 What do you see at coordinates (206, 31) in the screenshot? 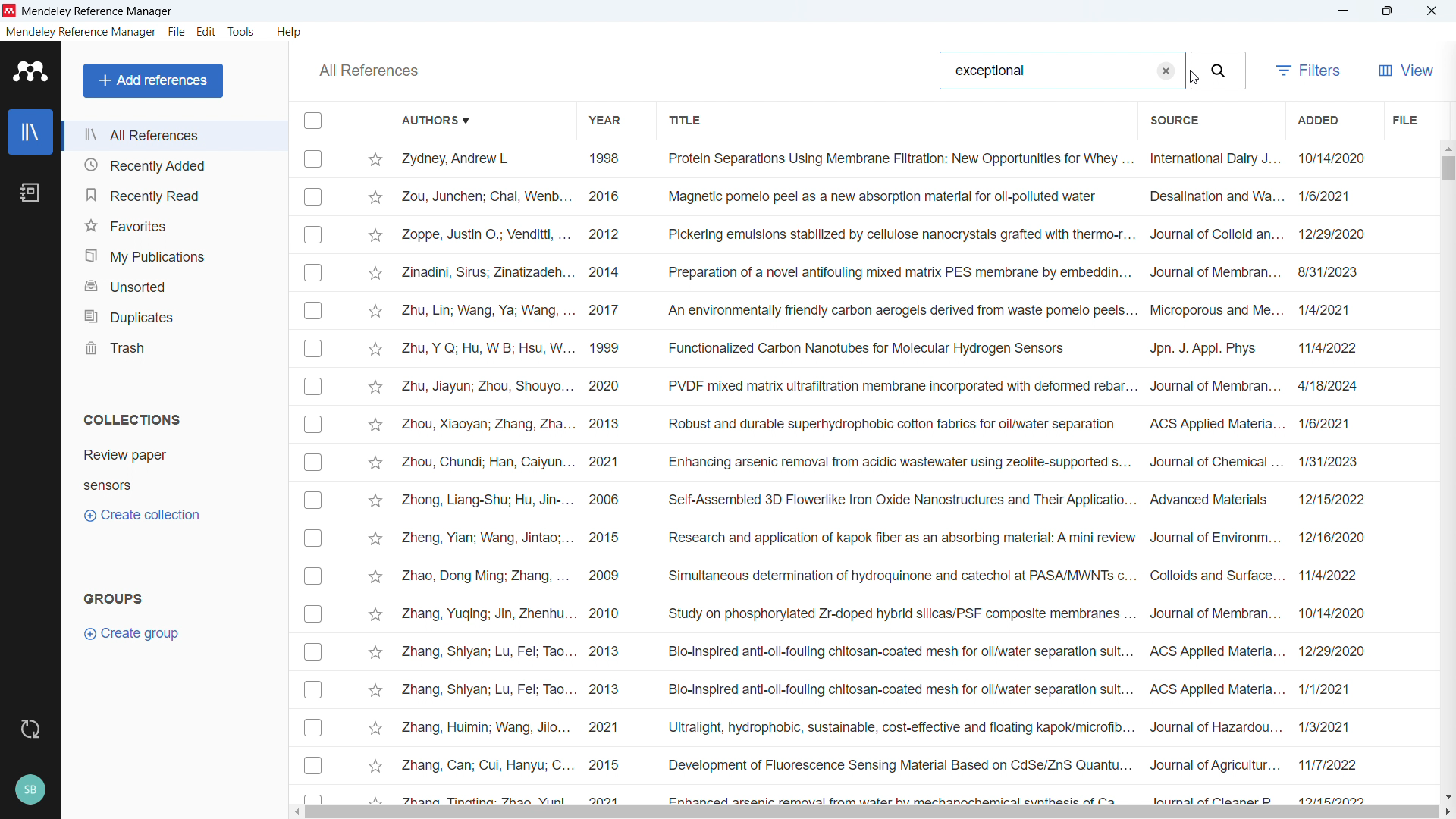
I see `edit` at bounding box center [206, 31].